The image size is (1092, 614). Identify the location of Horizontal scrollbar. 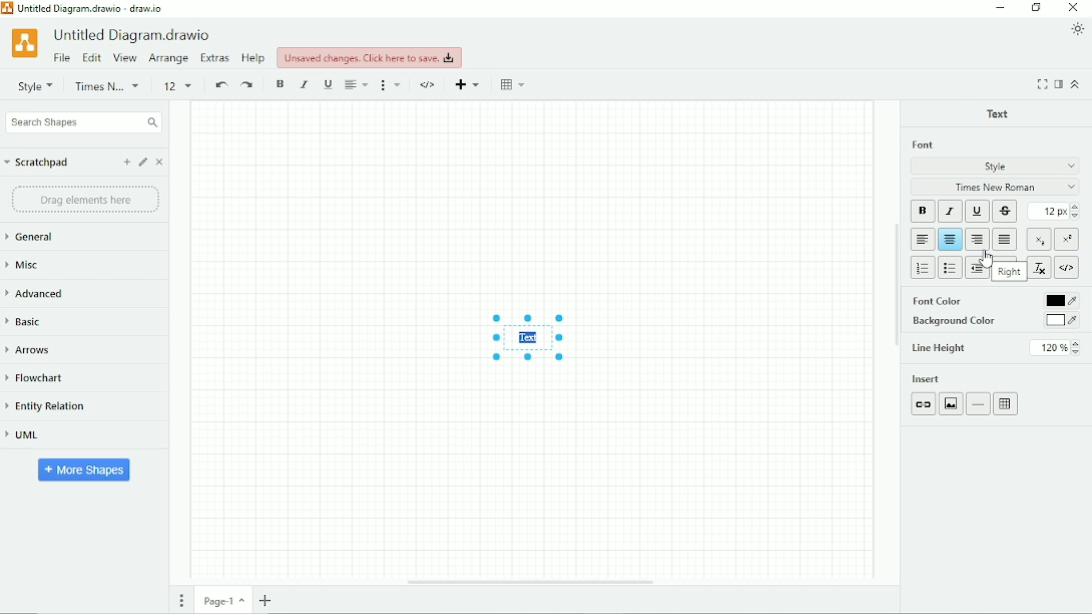
(531, 581).